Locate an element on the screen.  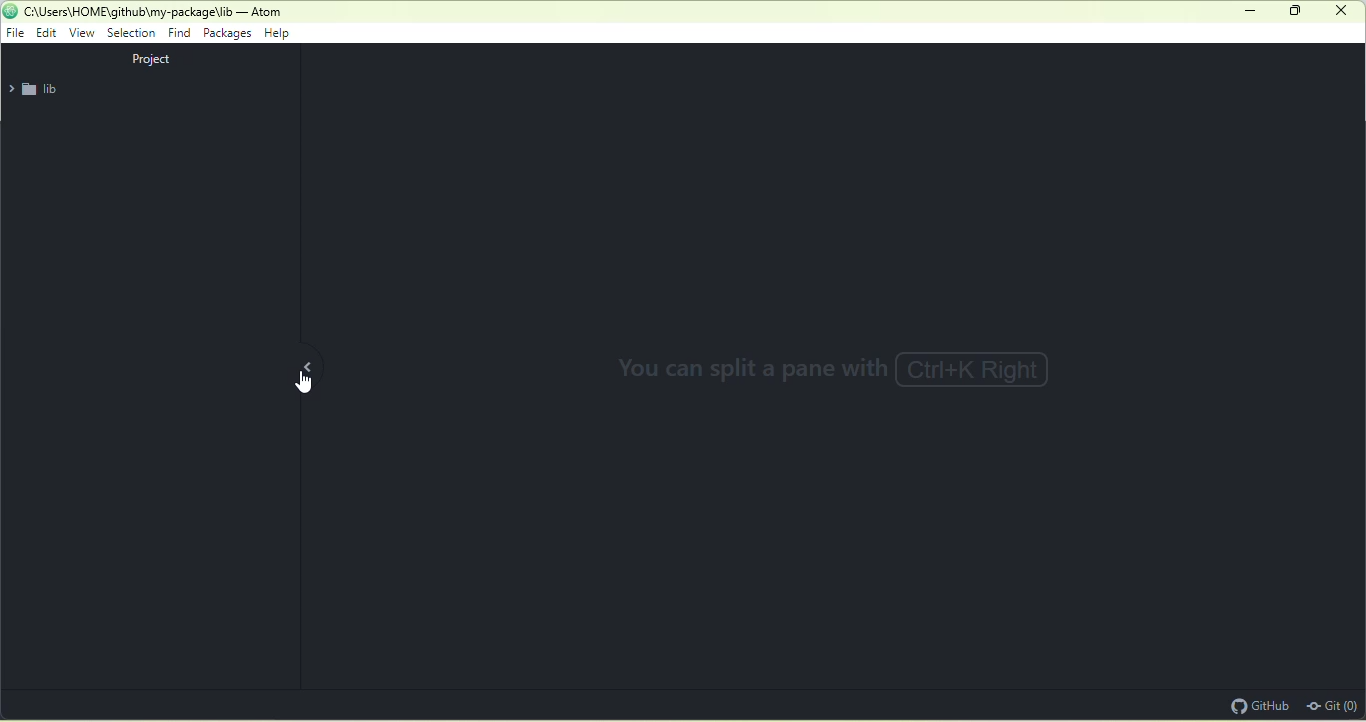
minimize is located at coordinates (1252, 12).